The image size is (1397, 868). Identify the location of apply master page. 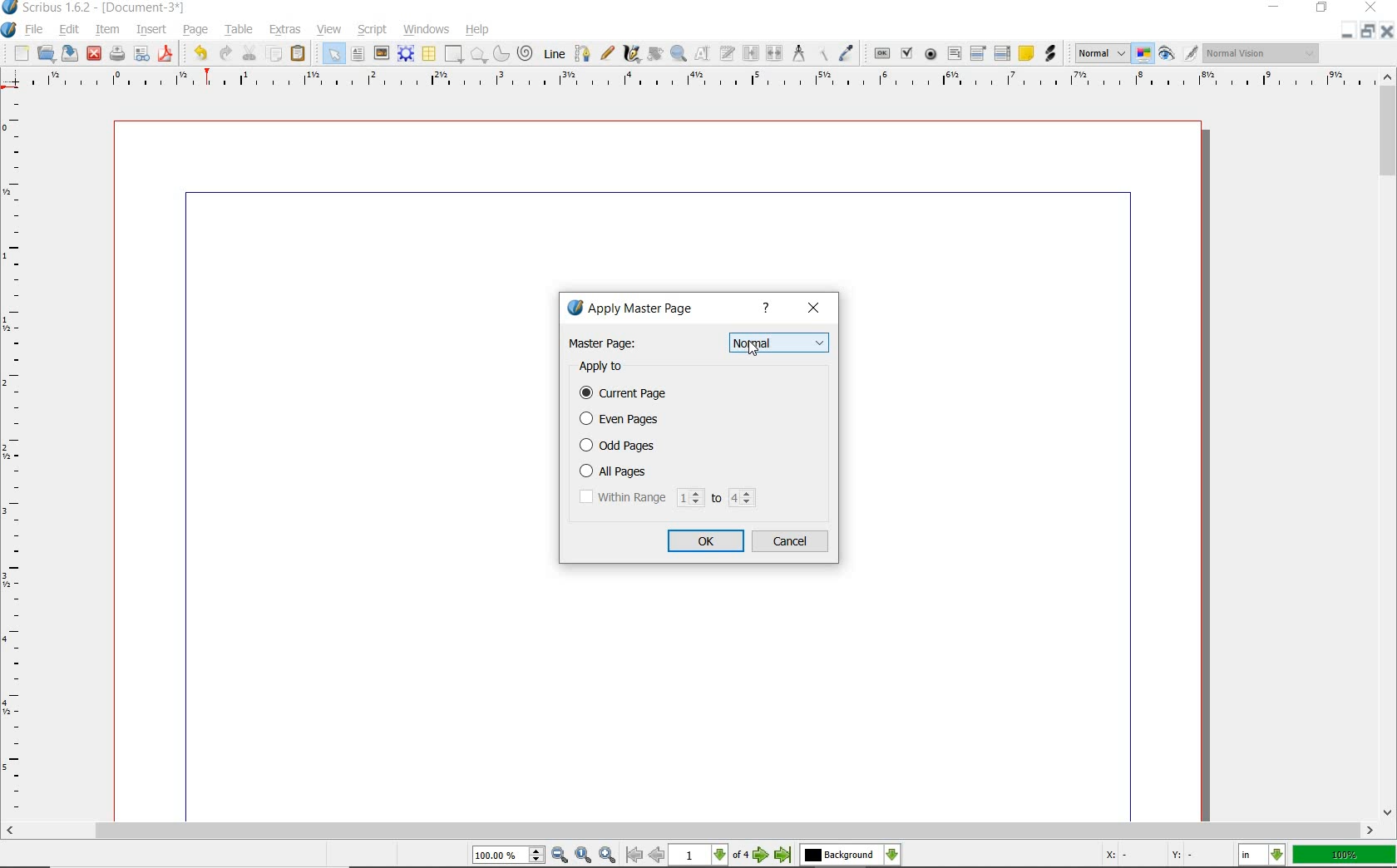
(635, 310).